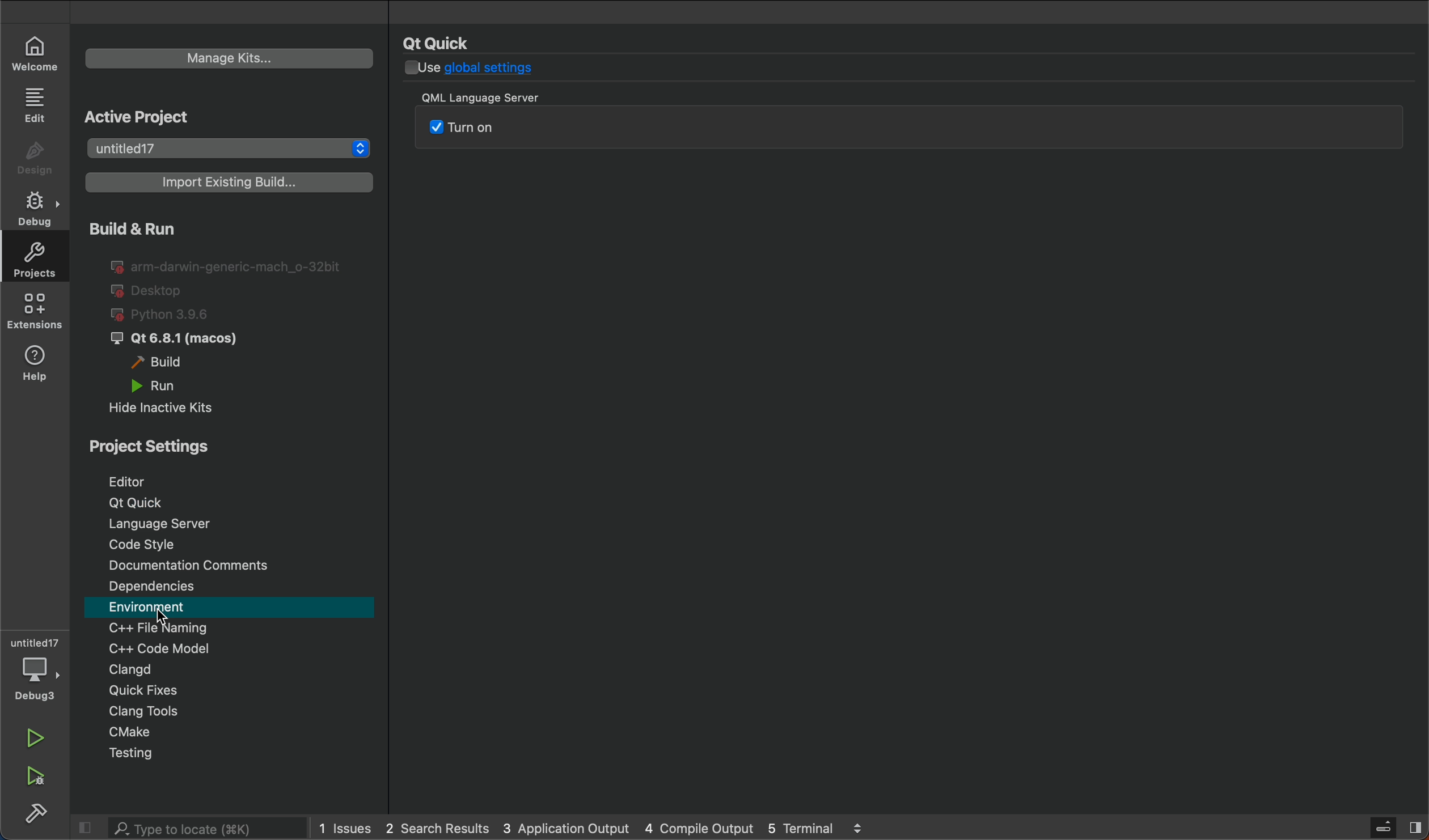 The width and height of the screenshot is (1429, 840). Describe the element at coordinates (40, 778) in the screenshot. I see `run and debug` at that location.